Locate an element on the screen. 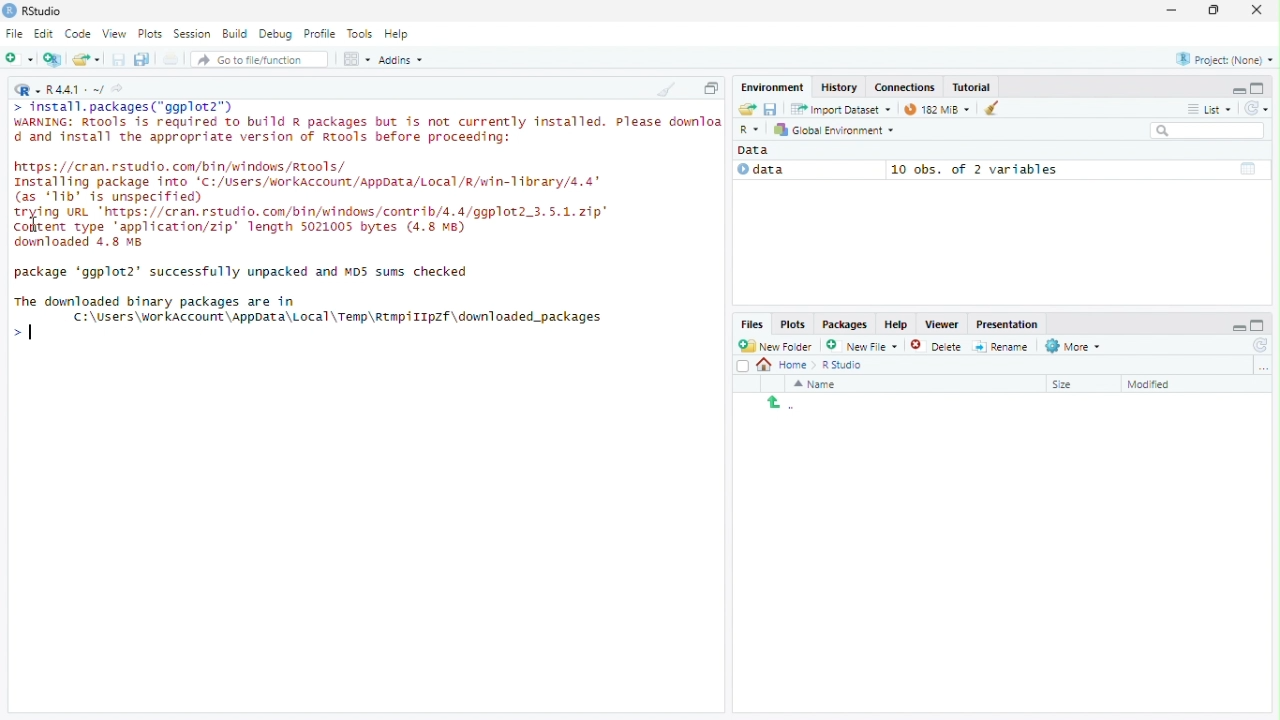 This screenshot has width=1280, height=720. Plots is located at coordinates (153, 33).